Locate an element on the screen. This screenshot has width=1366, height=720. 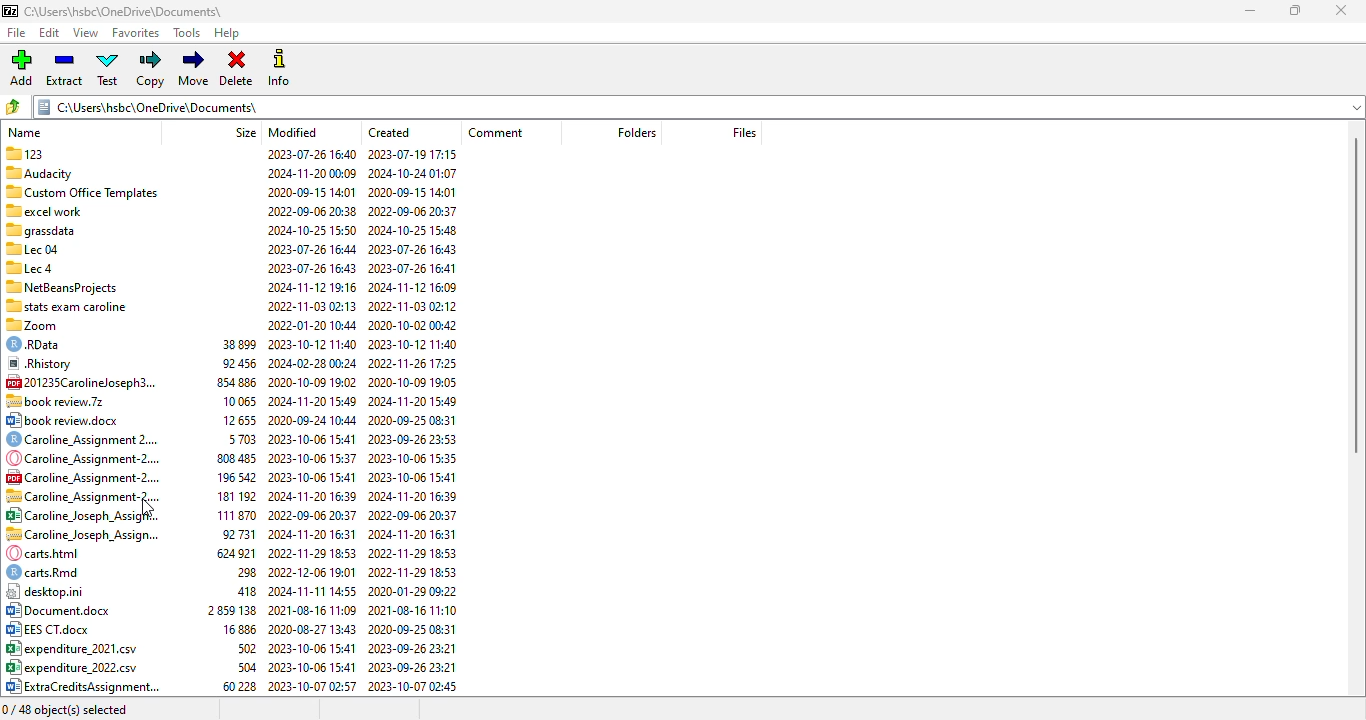
~~. Caroline Joseph Assign... 92731 2024-11-20 16:31 2024-11-20 16:31 is located at coordinates (229, 534).